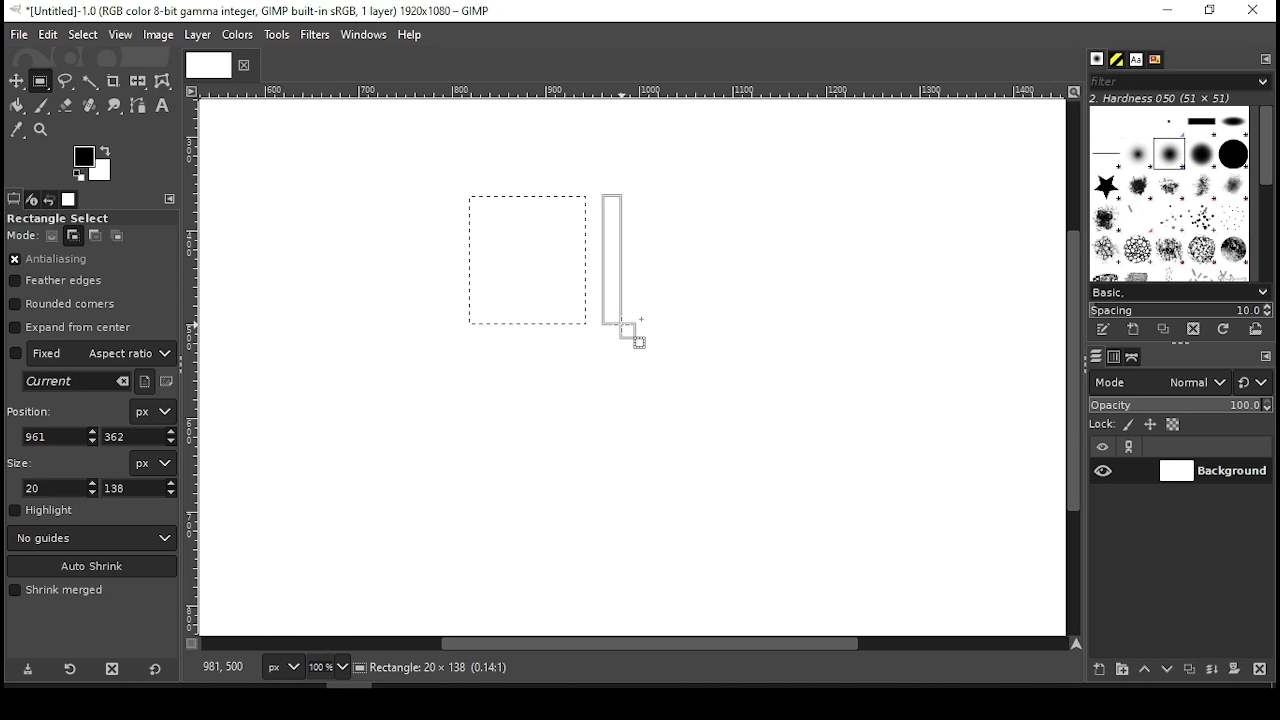 This screenshot has width=1280, height=720. I want to click on free selection tool, so click(68, 82).